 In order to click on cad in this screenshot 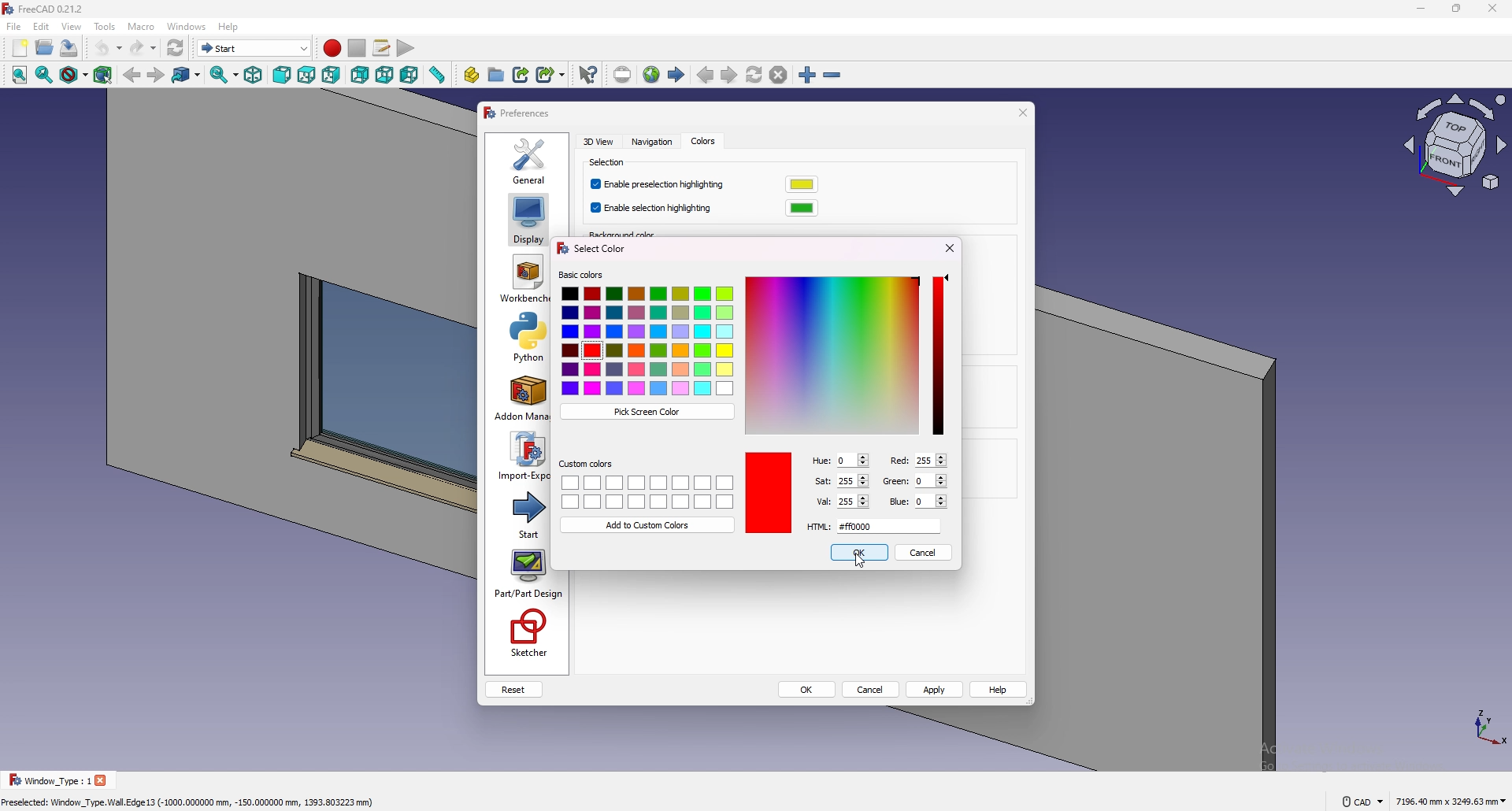, I will do `click(1362, 800)`.